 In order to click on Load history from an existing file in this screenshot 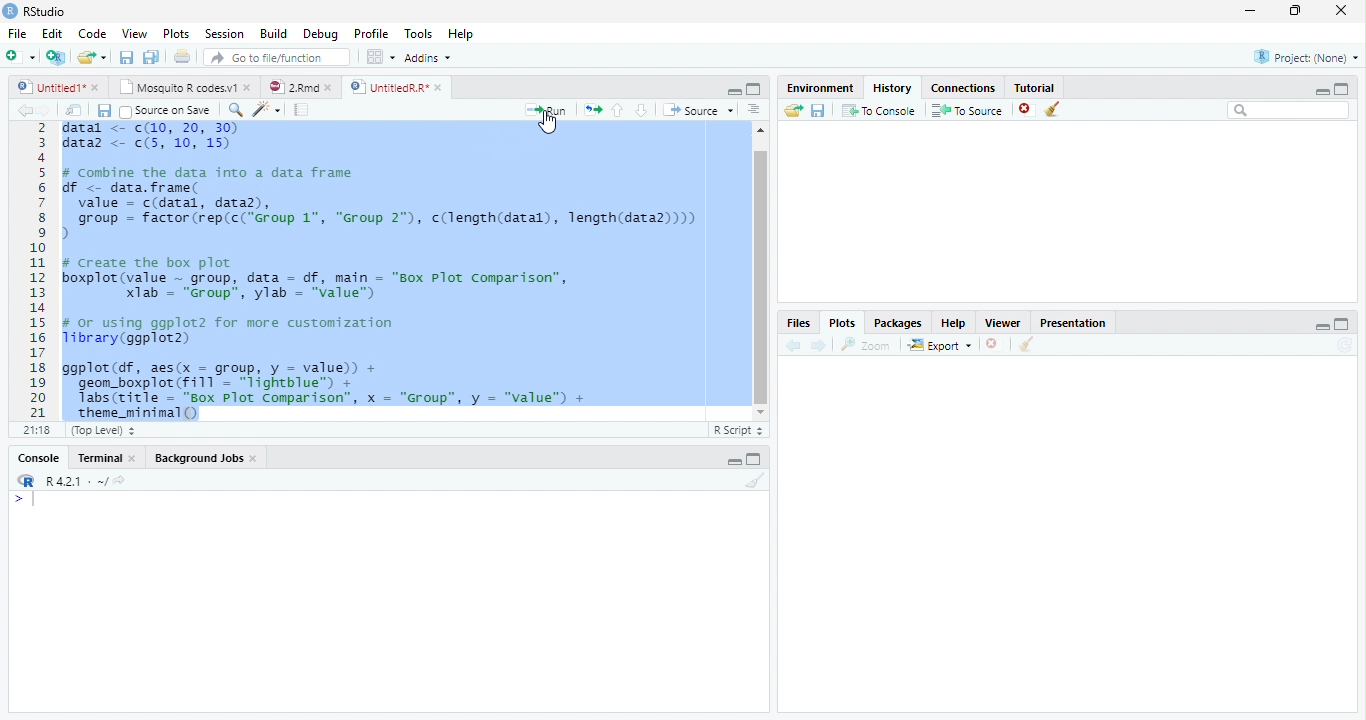, I will do `click(793, 111)`.